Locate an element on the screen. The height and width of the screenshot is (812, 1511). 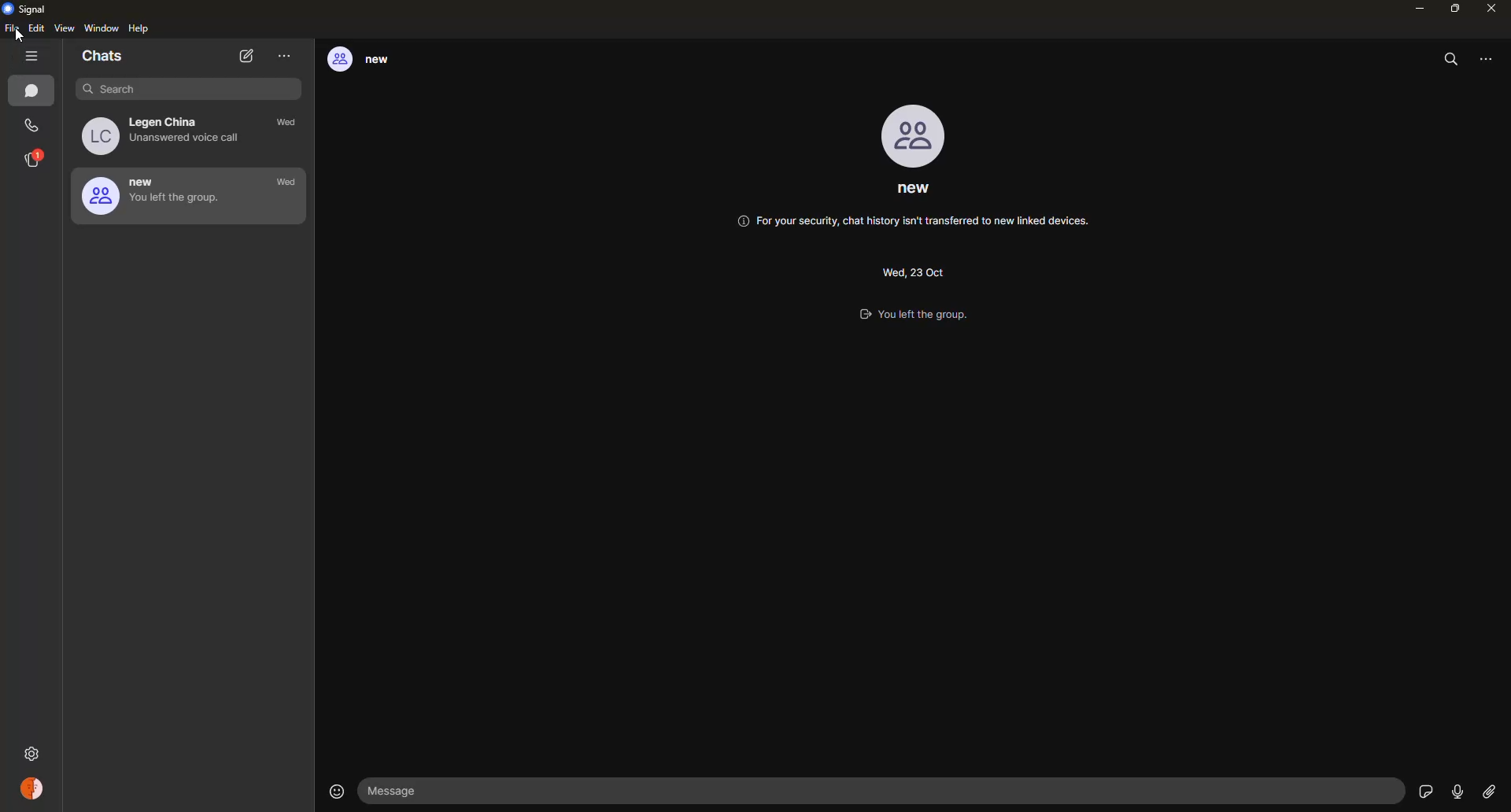
settings is located at coordinates (34, 751).